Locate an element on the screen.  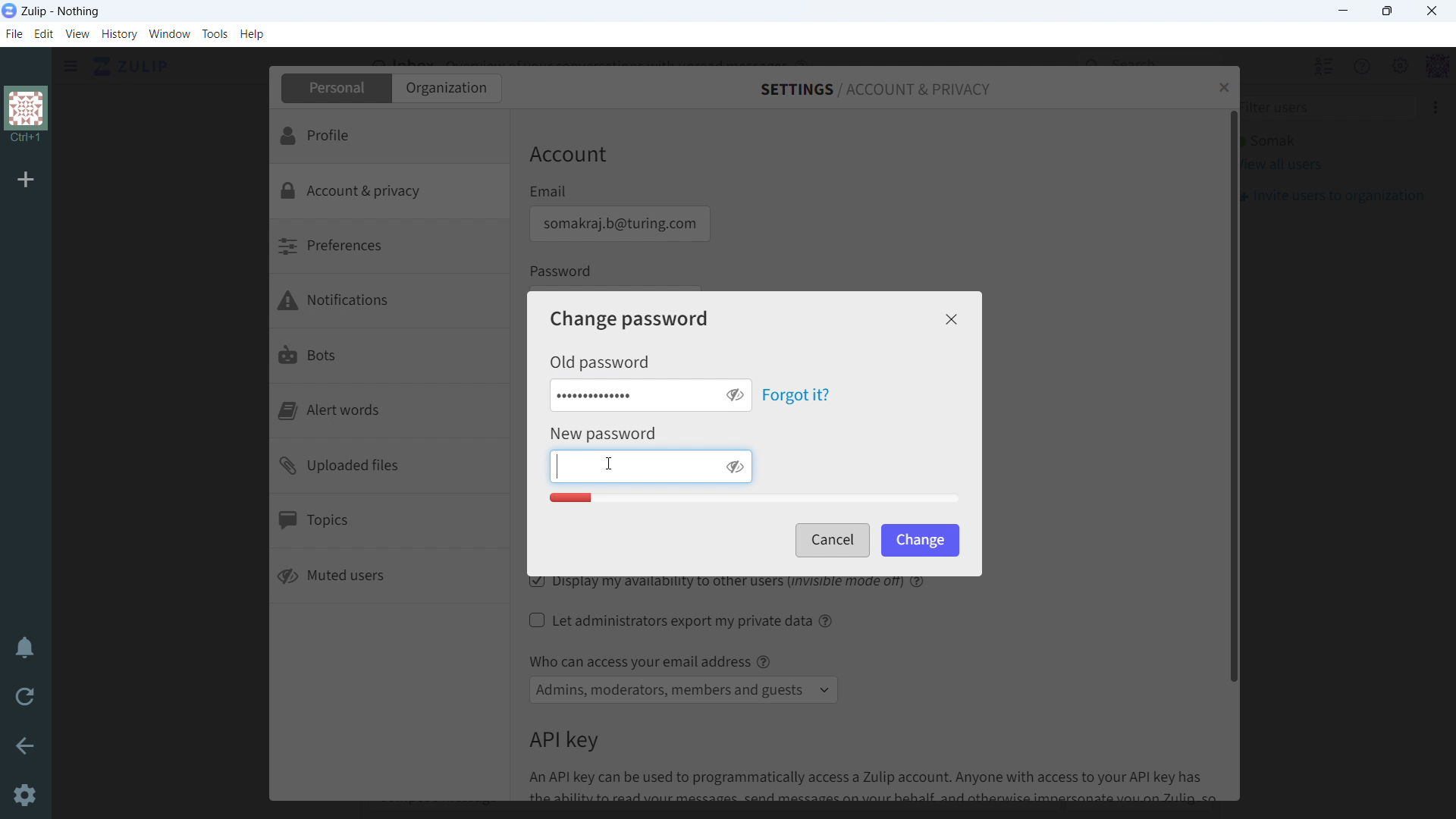
preferences is located at coordinates (389, 248).